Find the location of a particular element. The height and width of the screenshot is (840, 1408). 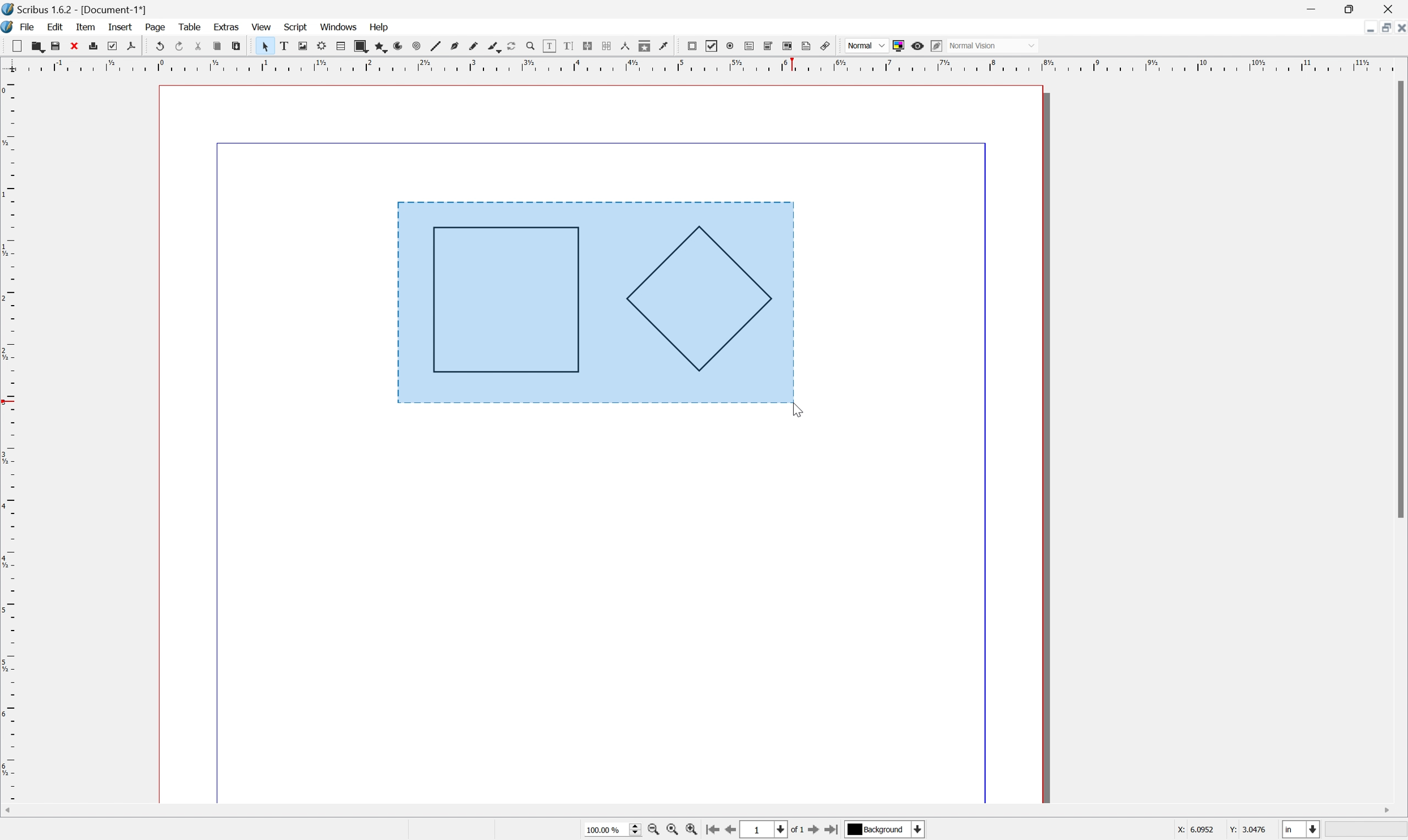

script is located at coordinates (296, 26).